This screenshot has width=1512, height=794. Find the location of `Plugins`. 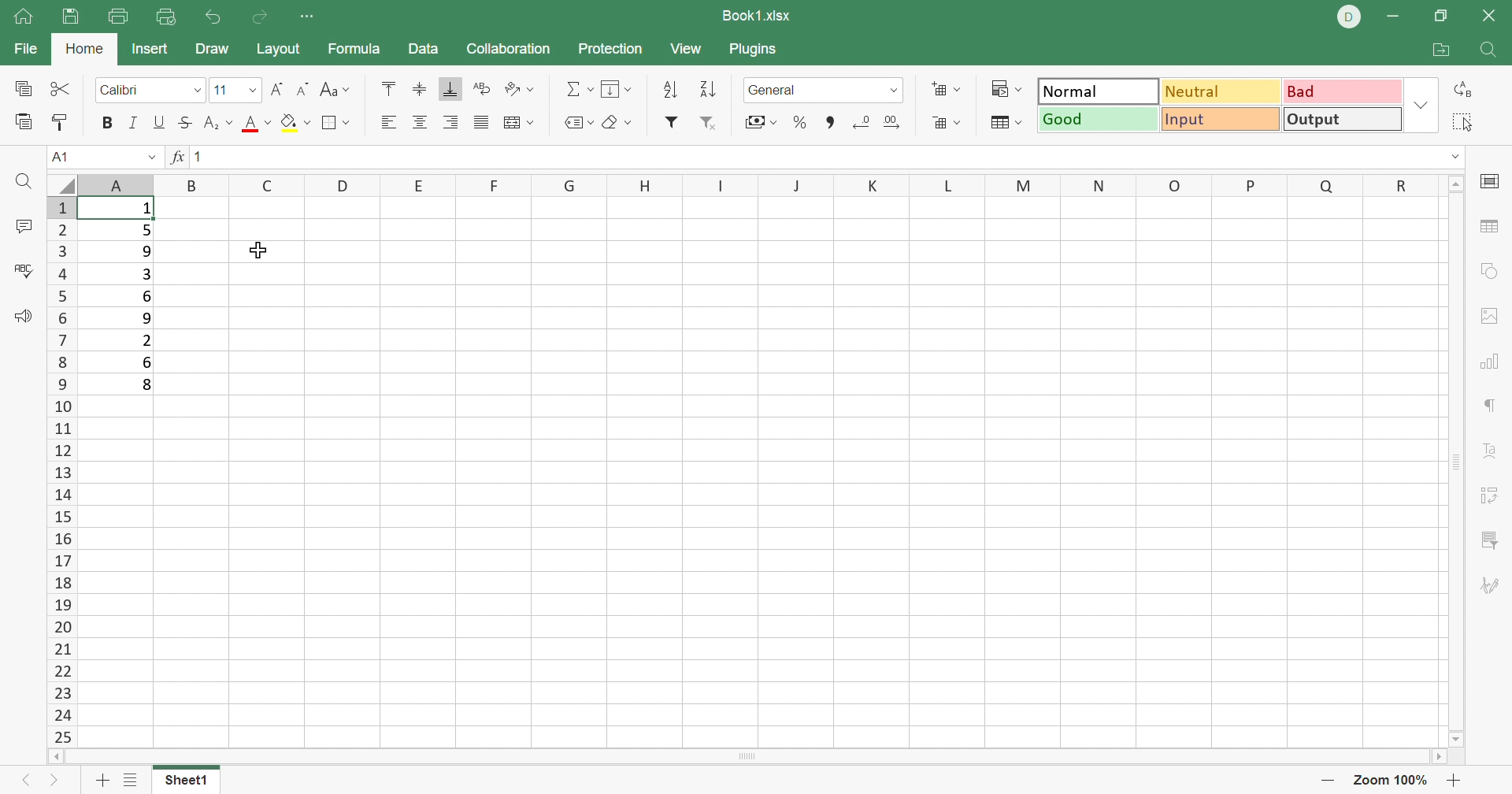

Plugins is located at coordinates (755, 53).